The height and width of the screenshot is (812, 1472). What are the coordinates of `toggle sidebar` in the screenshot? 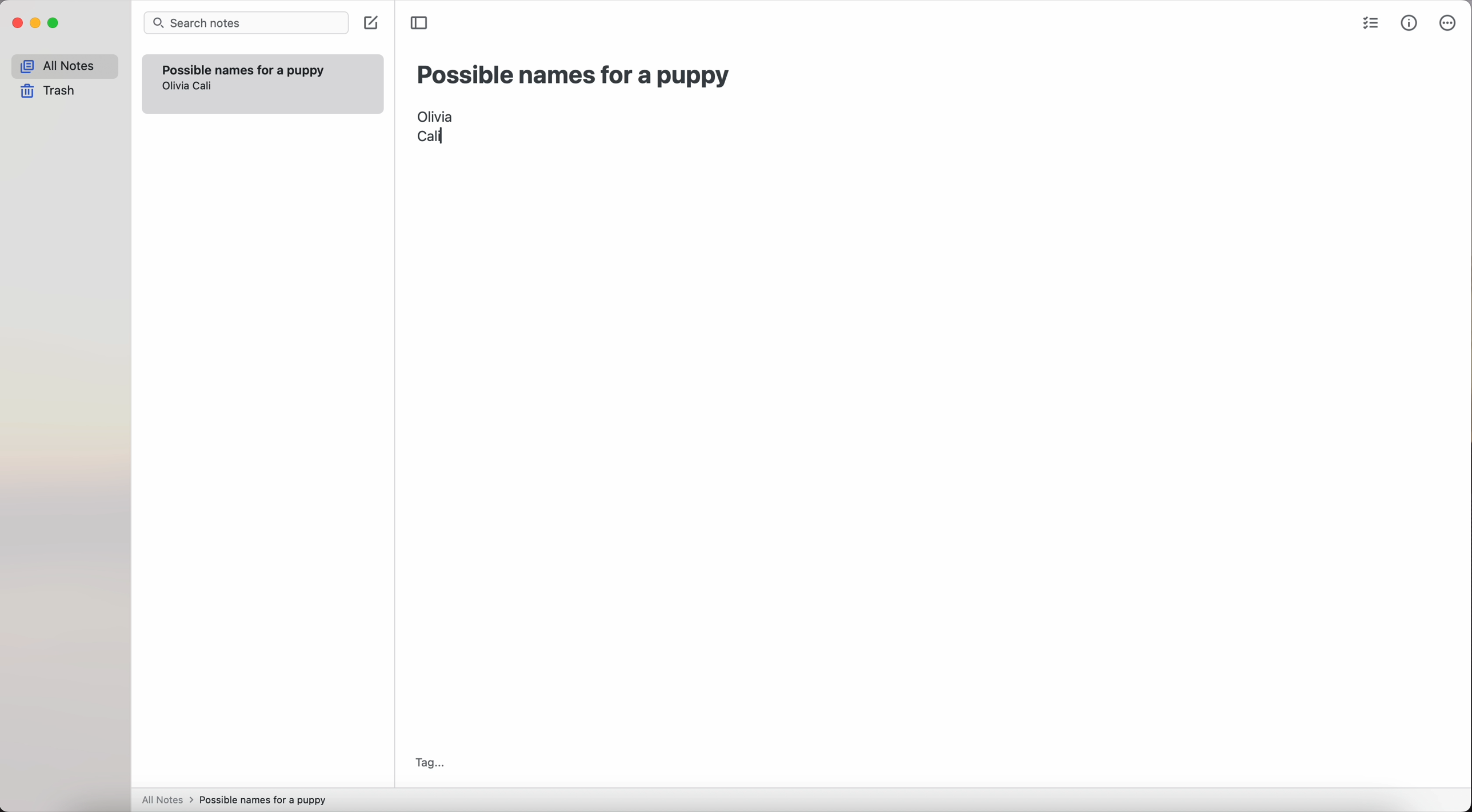 It's located at (421, 22).